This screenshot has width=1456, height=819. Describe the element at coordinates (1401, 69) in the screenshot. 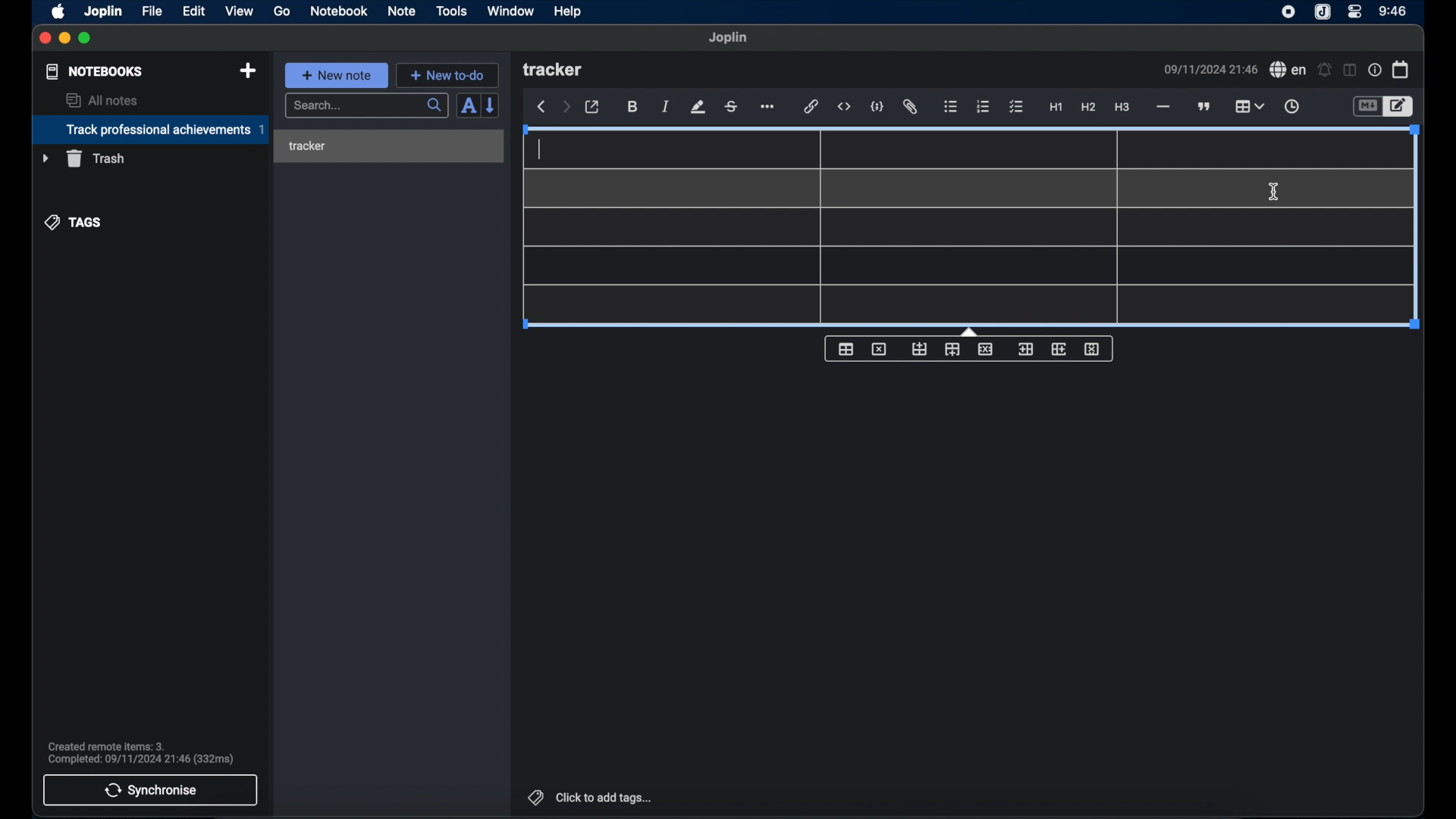

I see `calendar` at that location.